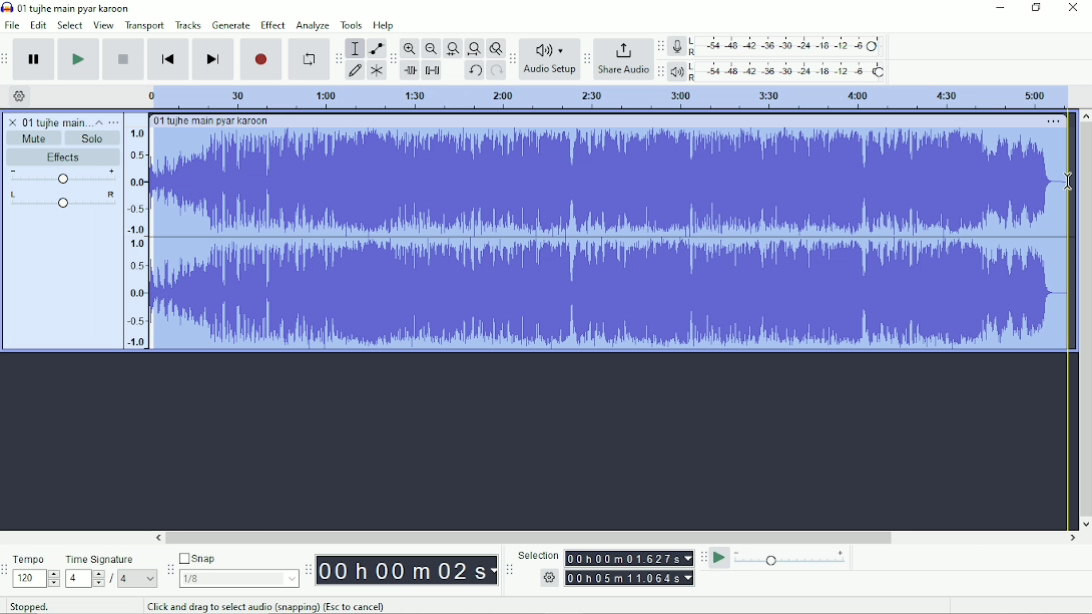  Describe the element at coordinates (39, 26) in the screenshot. I see `Edit` at that location.